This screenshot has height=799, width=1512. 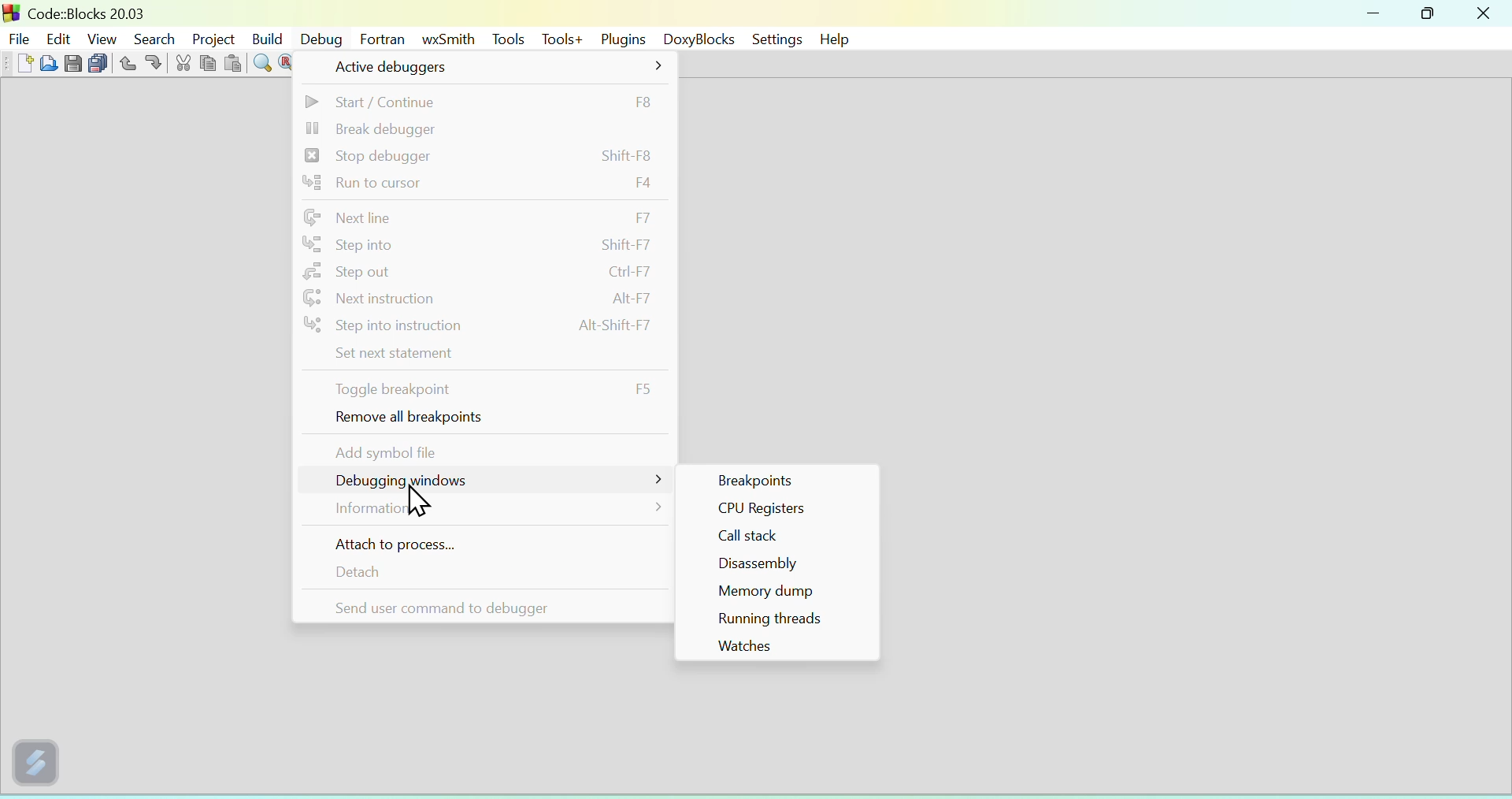 What do you see at coordinates (619, 38) in the screenshot?
I see `Plugins` at bounding box center [619, 38].